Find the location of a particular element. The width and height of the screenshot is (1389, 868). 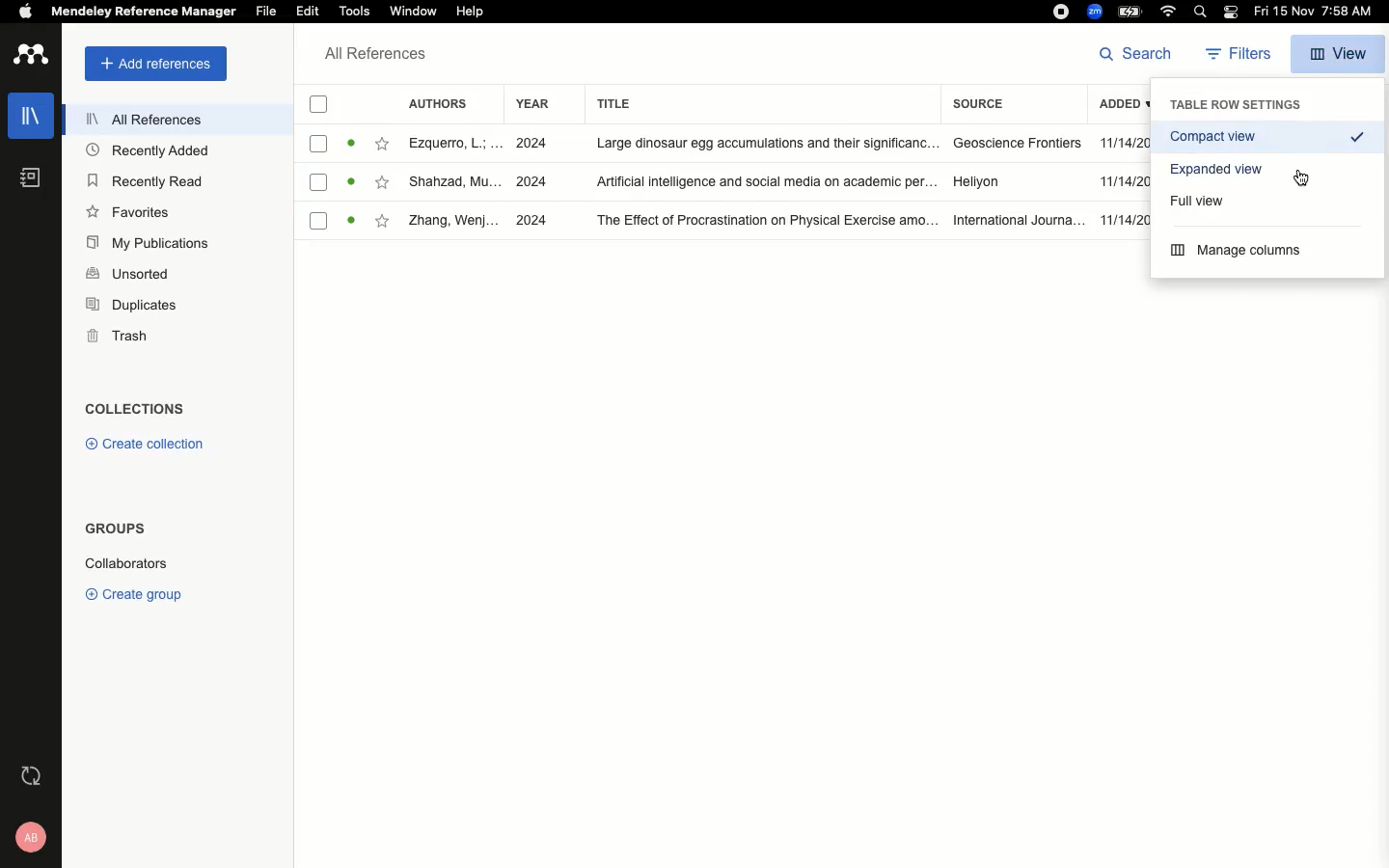

Create collection is located at coordinates (140, 444).